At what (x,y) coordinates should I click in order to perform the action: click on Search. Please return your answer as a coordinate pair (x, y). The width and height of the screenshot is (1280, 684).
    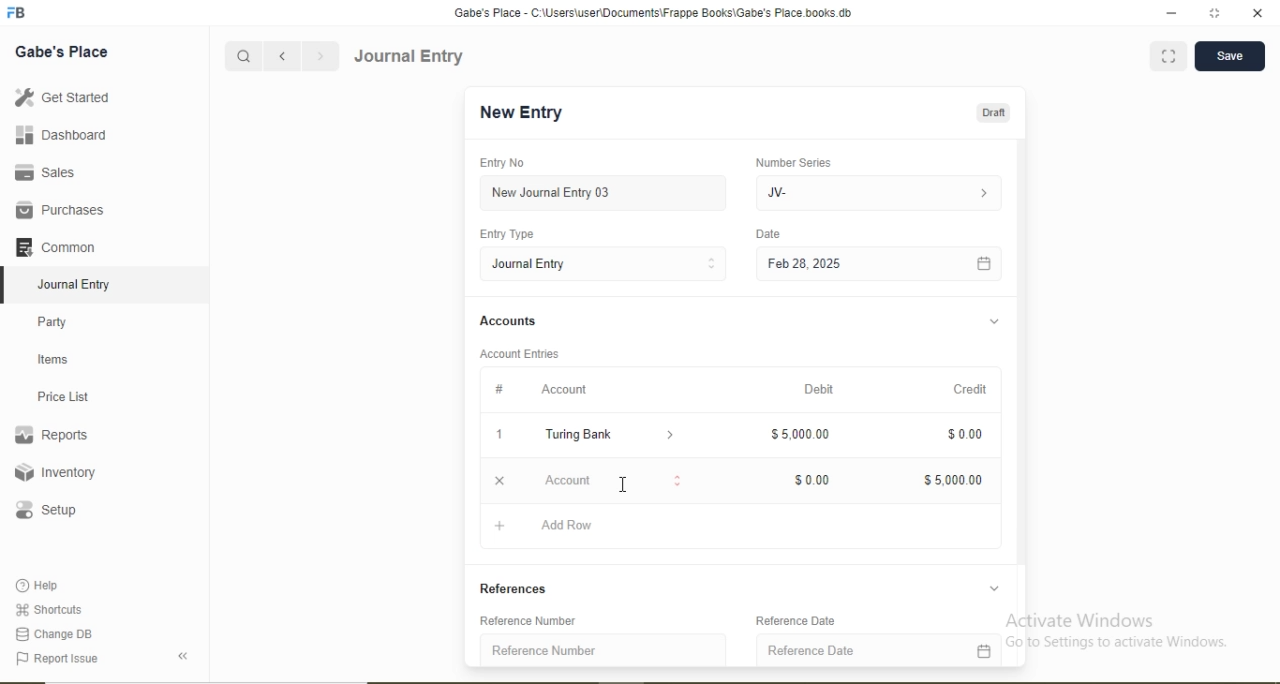
    Looking at the image, I should click on (242, 57).